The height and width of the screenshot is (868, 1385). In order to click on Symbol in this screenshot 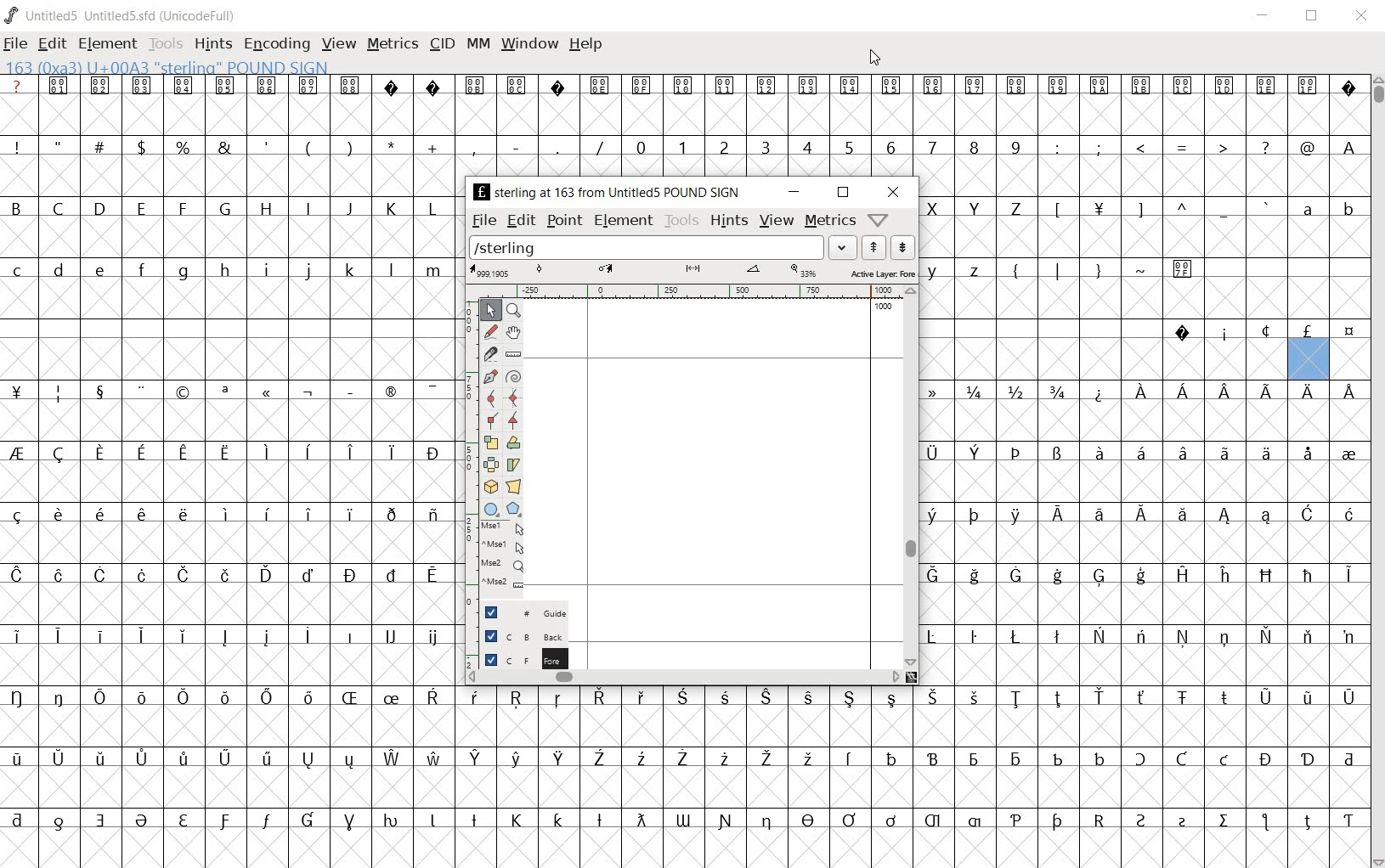, I will do `click(432, 699)`.